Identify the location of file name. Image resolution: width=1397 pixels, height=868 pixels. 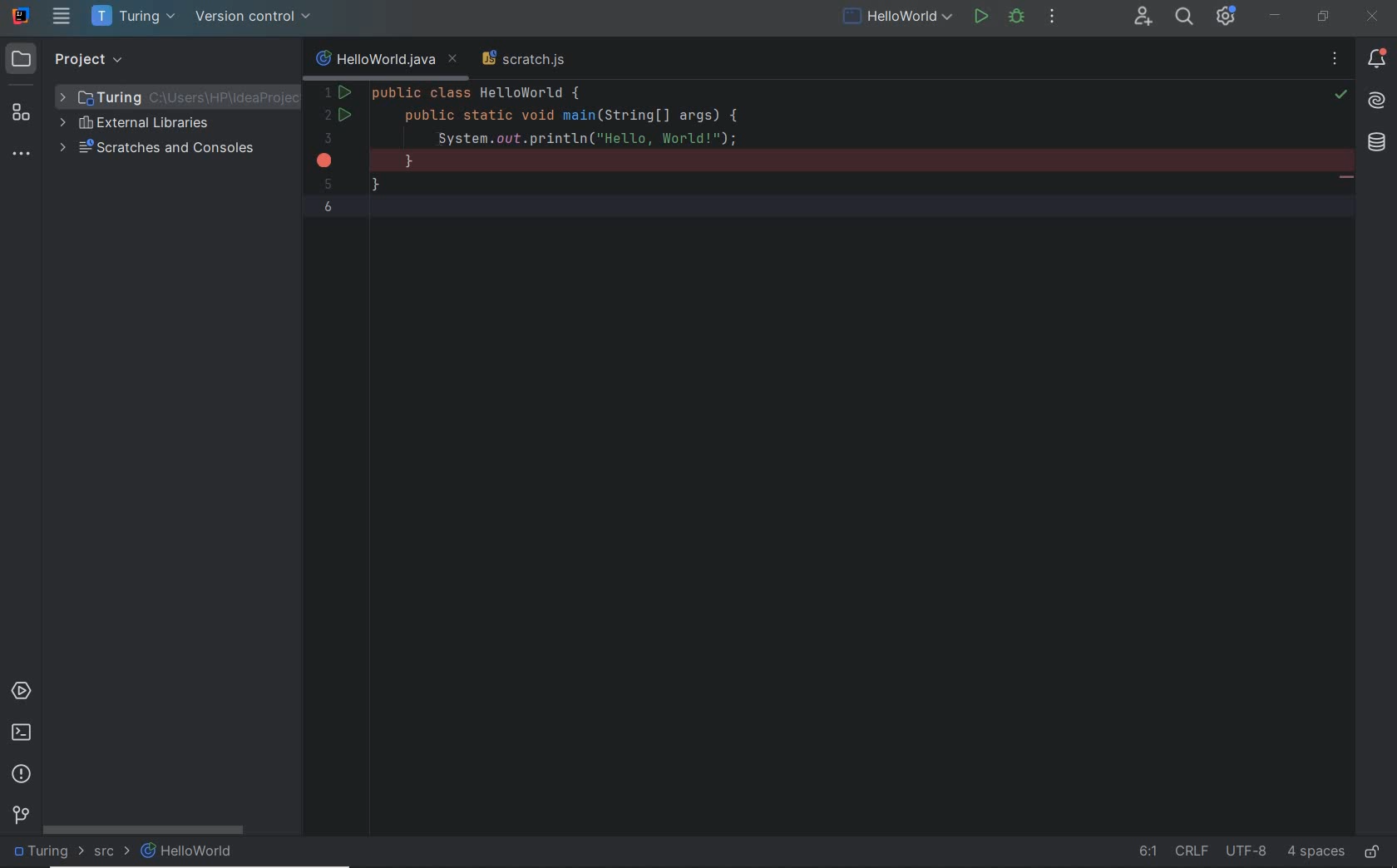
(190, 851).